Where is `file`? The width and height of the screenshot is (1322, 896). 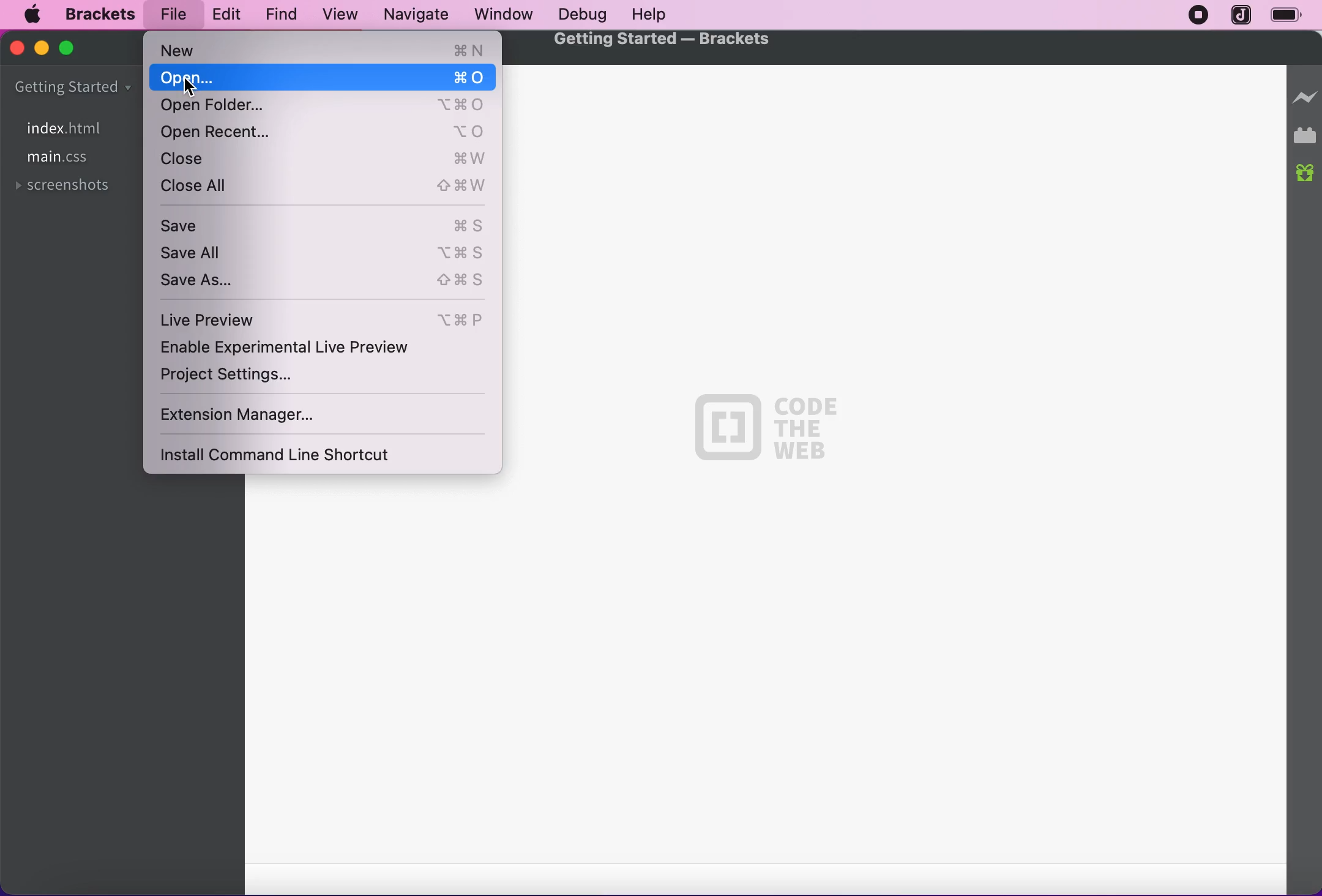 file is located at coordinates (170, 15).